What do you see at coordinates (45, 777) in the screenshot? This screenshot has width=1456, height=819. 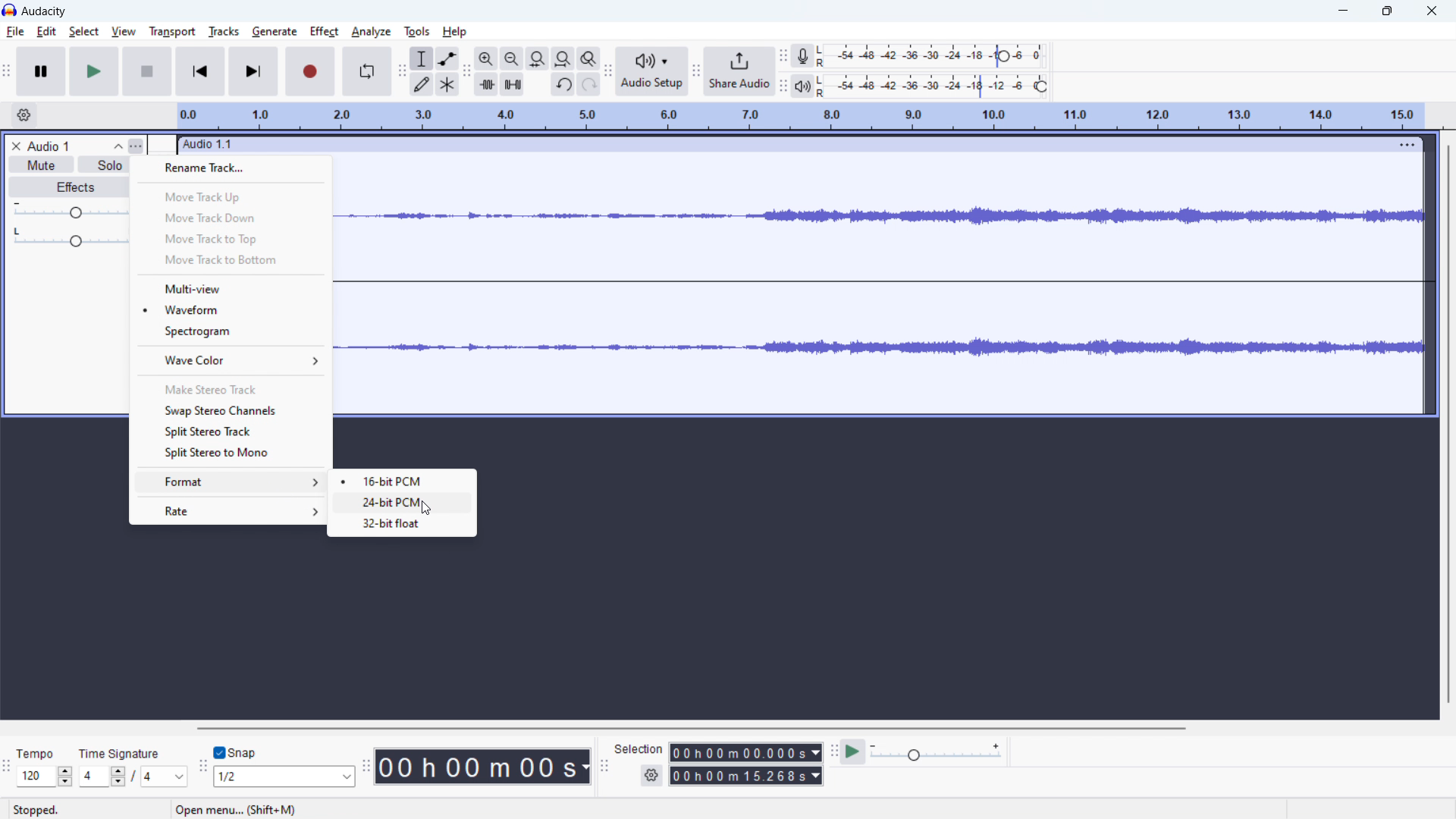 I see `set tempo` at bounding box center [45, 777].